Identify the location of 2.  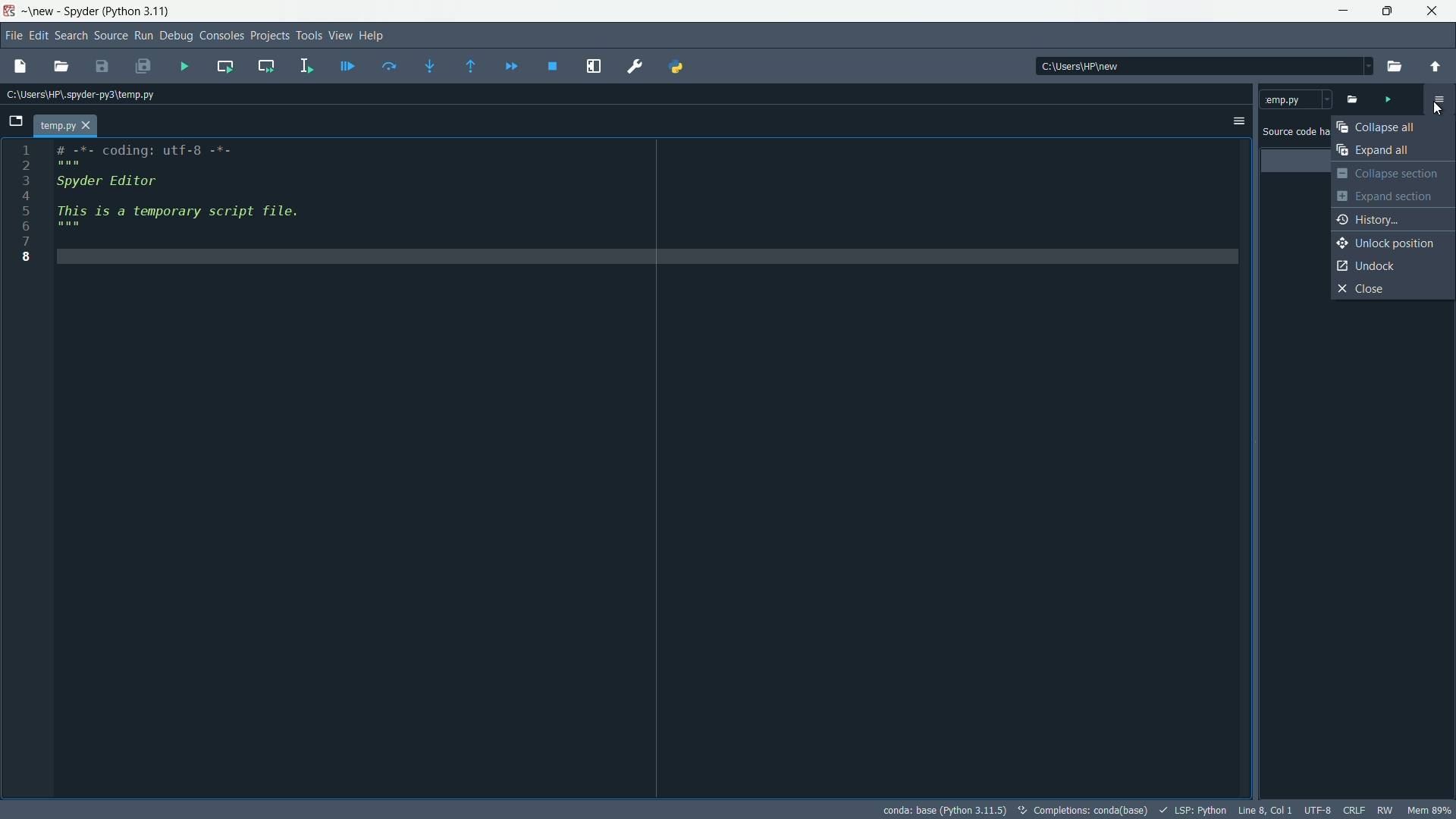
(28, 165).